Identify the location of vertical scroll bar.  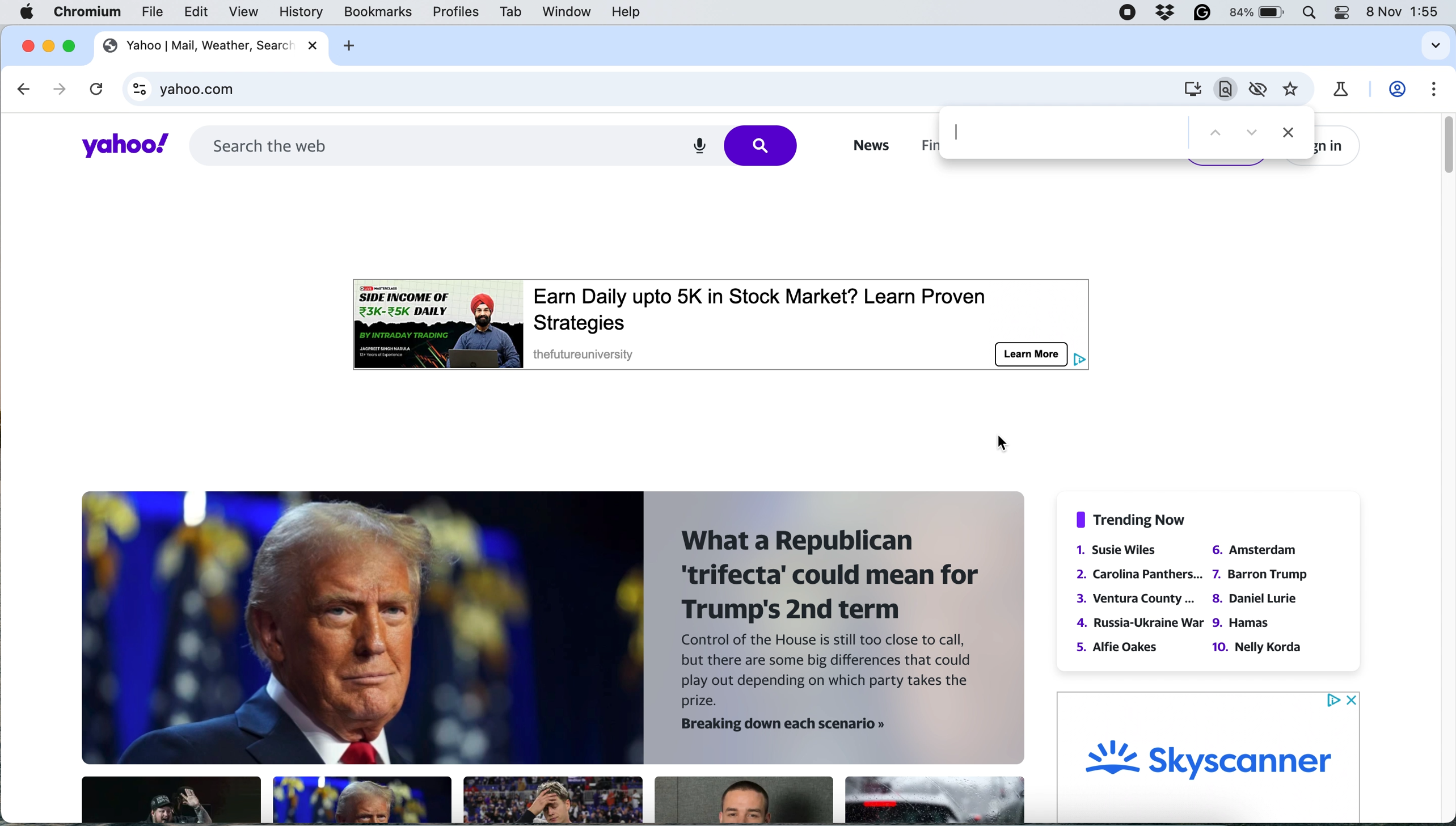
(1442, 149).